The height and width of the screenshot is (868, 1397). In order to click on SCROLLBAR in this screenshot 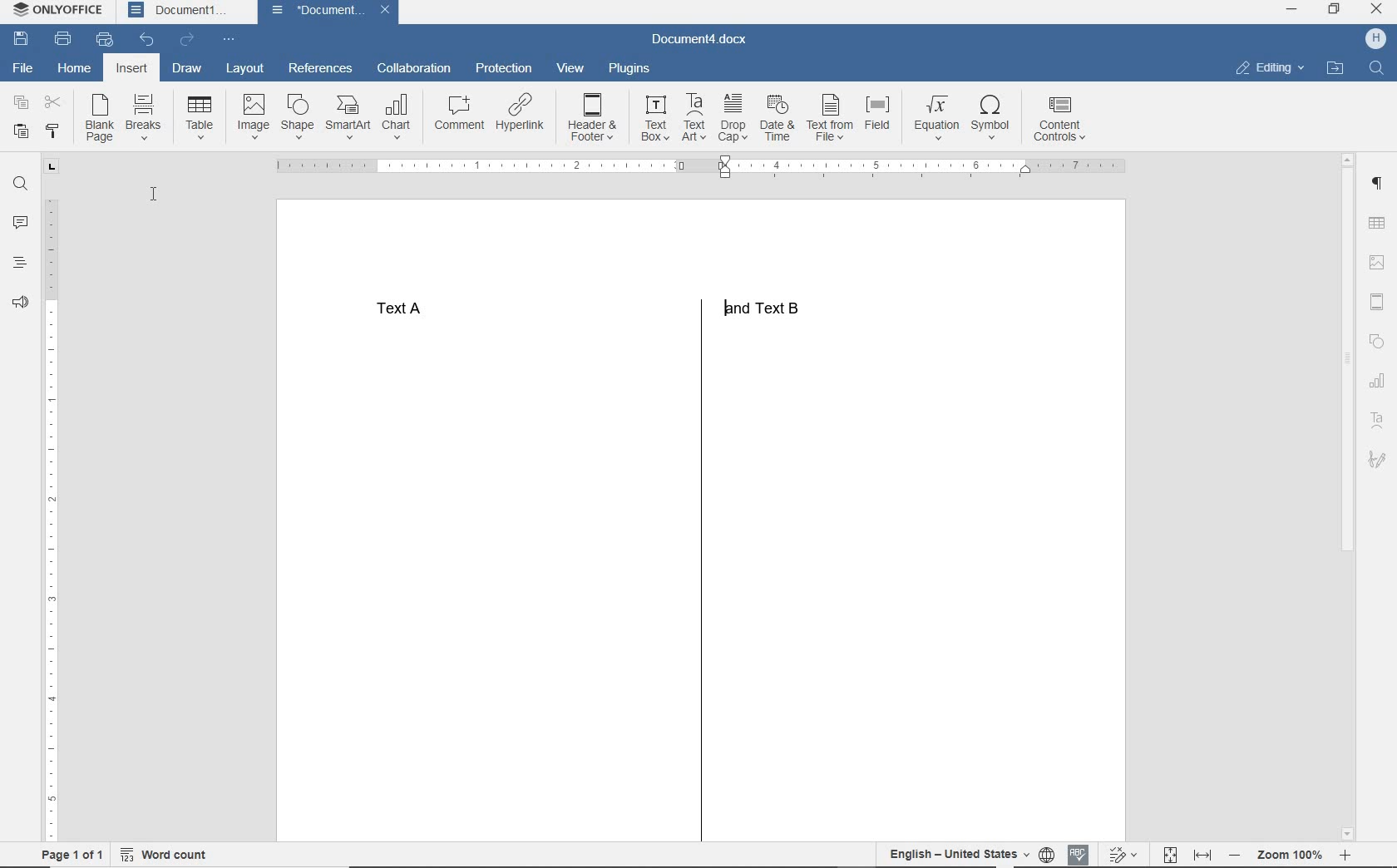, I will do `click(1345, 495)`.